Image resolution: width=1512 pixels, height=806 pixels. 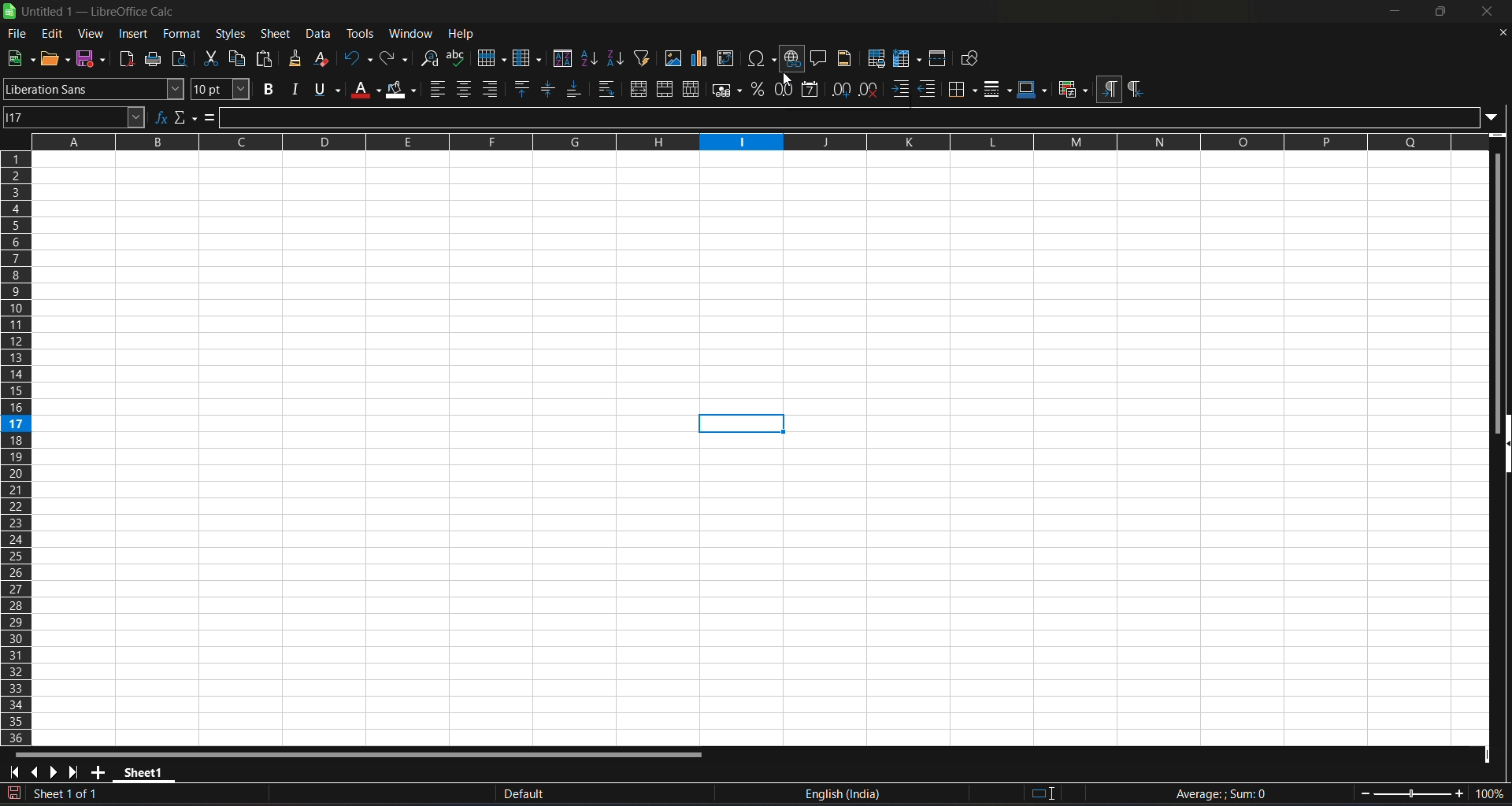 What do you see at coordinates (413, 31) in the screenshot?
I see `window` at bounding box center [413, 31].